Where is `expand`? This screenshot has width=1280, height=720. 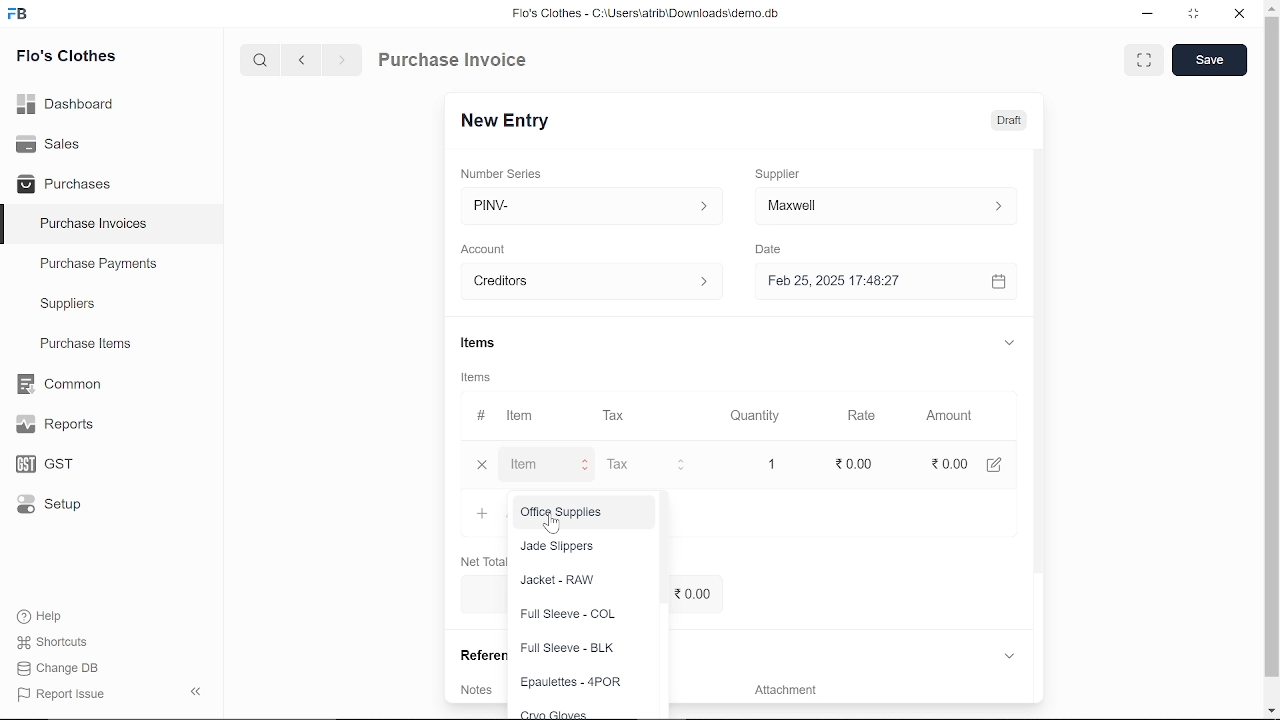 expand is located at coordinates (1012, 656).